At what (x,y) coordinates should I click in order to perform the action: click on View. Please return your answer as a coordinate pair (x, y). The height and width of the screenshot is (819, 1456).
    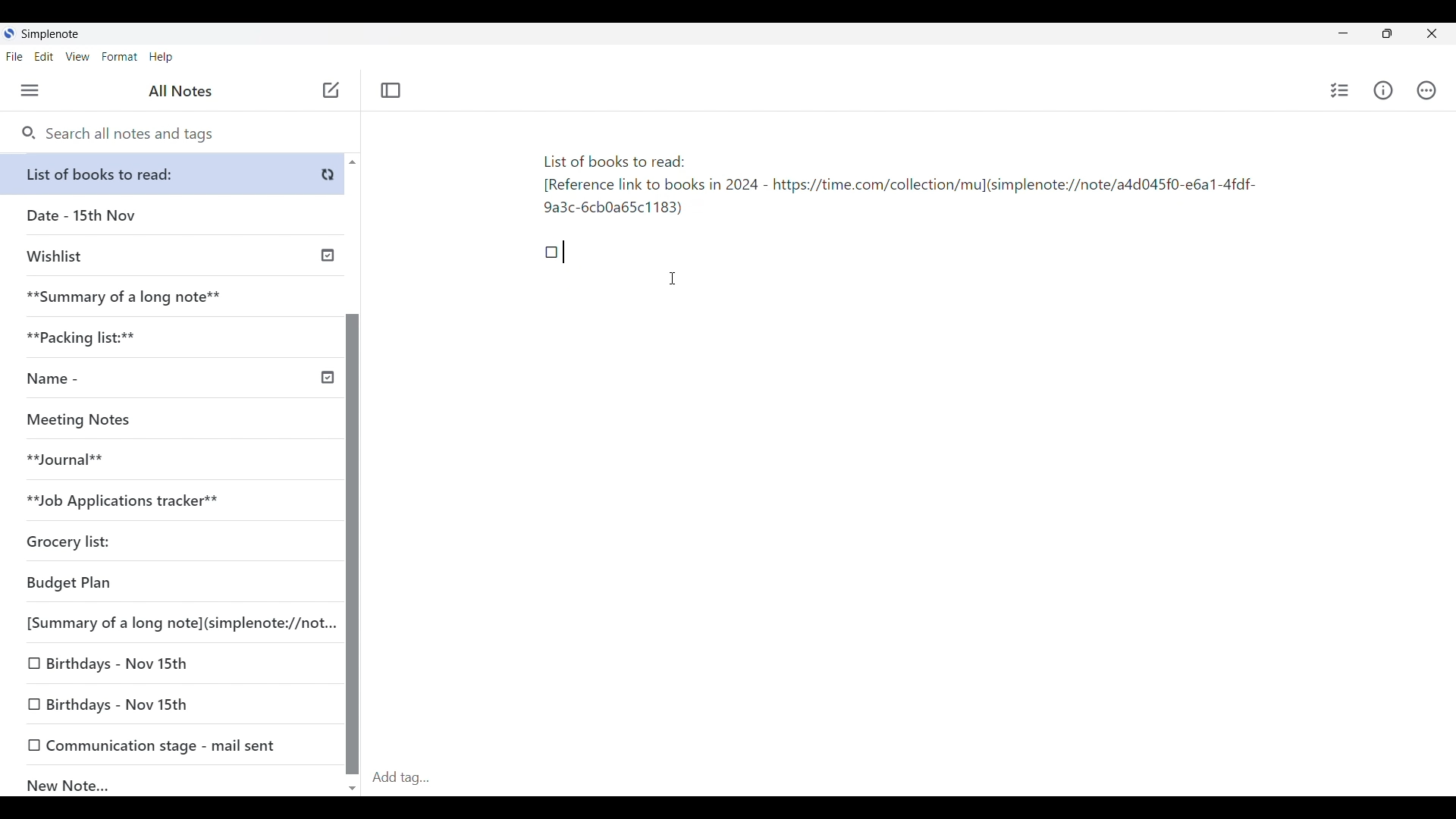
    Looking at the image, I should click on (78, 57).